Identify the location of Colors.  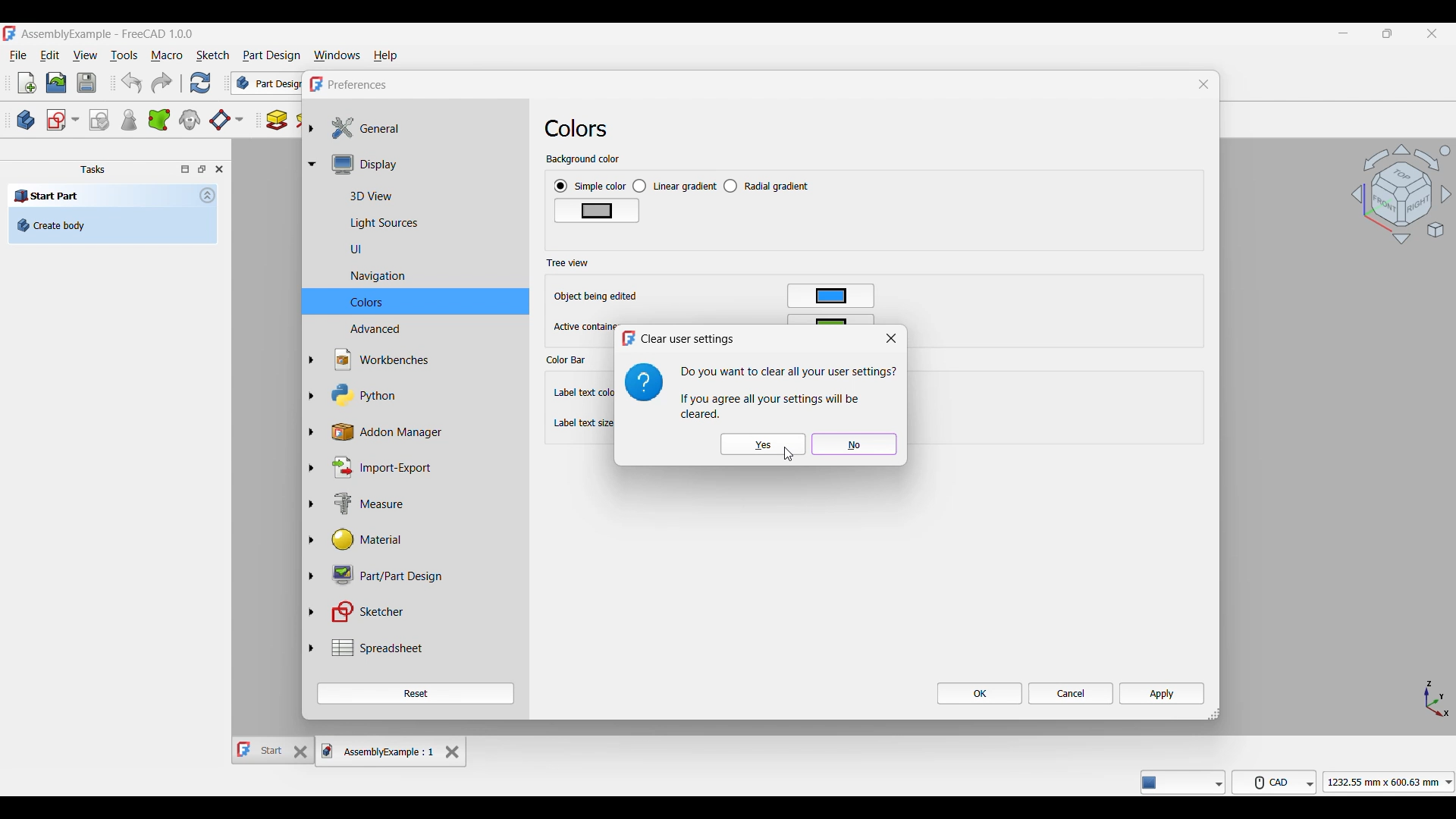
(582, 128).